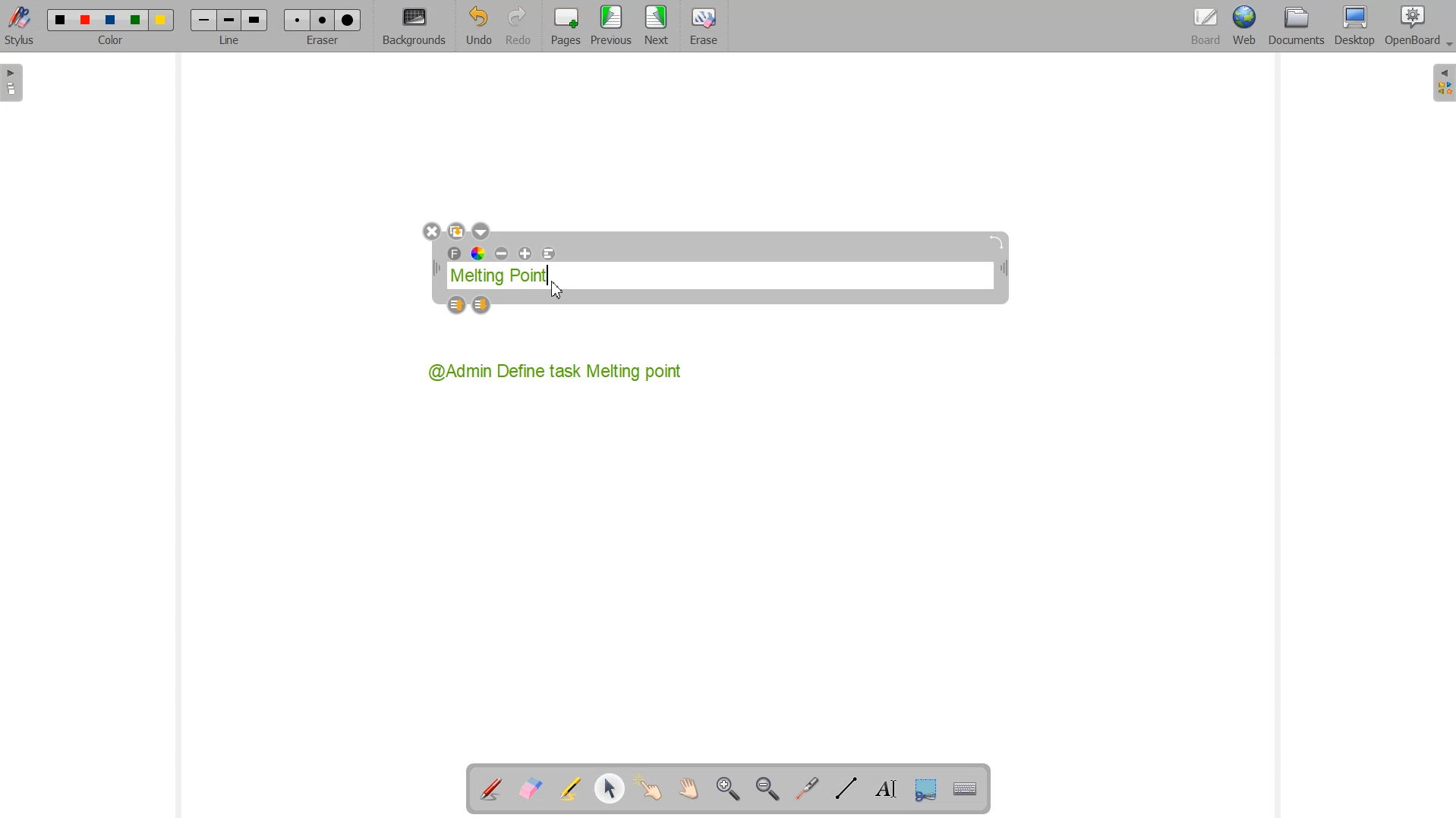  What do you see at coordinates (701, 27) in the screenshot?
I see `Eraser` at bounding box center [701, 27].